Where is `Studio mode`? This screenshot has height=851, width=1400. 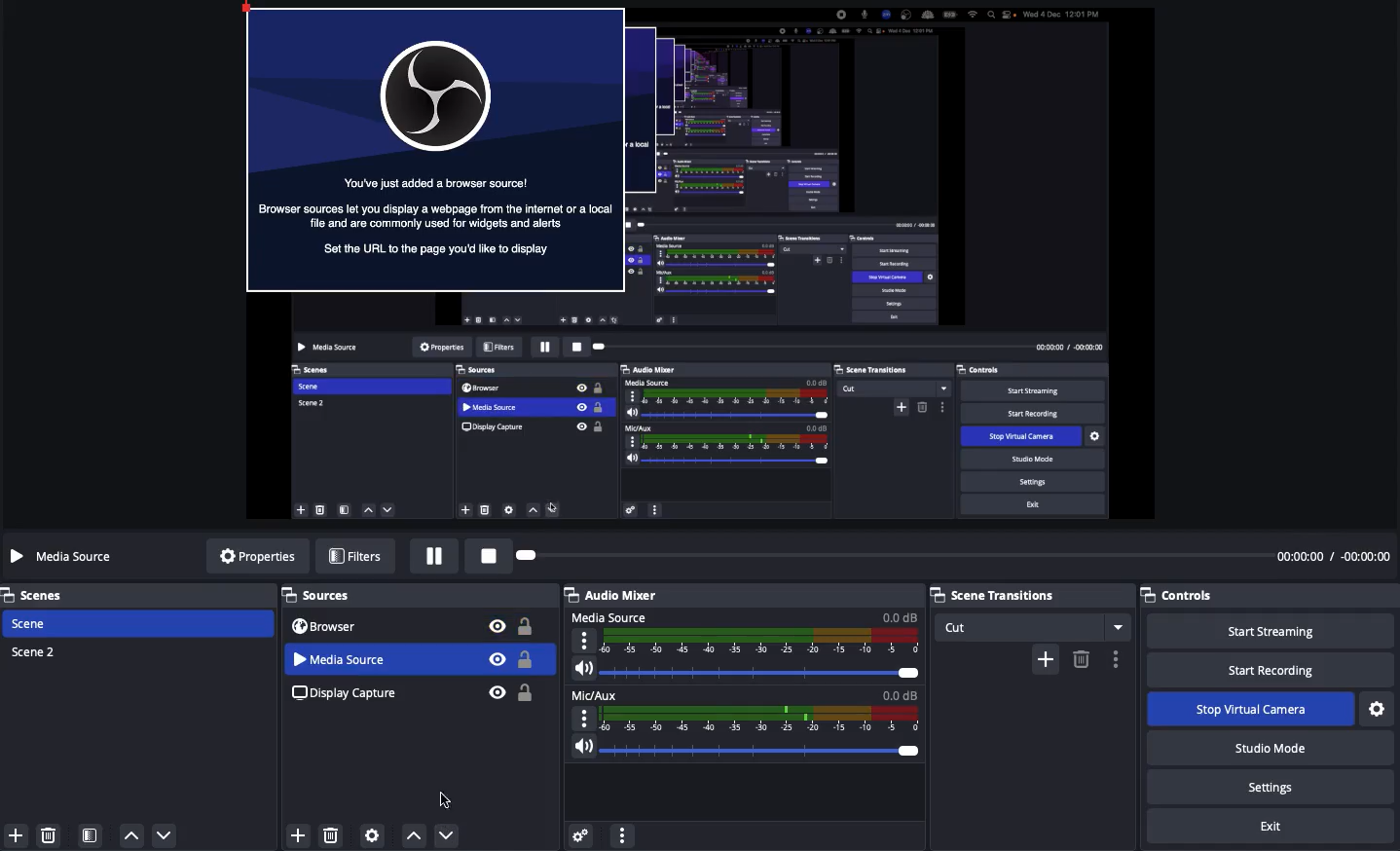
Studio mode is located at coordinates (1263, 746).